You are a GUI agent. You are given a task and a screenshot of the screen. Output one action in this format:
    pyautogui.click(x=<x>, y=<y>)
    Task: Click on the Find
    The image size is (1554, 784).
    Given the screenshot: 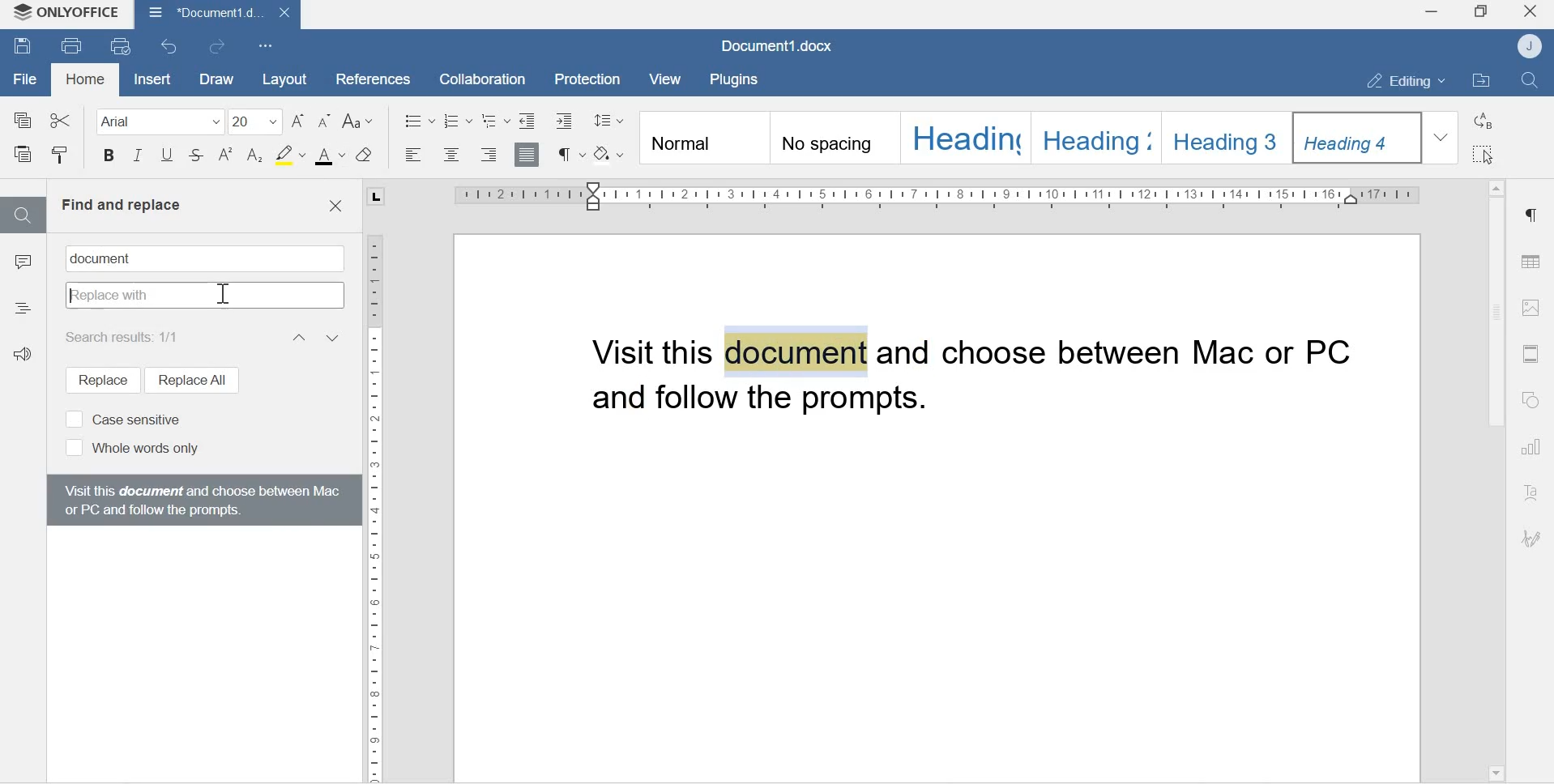 What is the action you would take?
    pyautogui.click(x=1533, y=81)
    